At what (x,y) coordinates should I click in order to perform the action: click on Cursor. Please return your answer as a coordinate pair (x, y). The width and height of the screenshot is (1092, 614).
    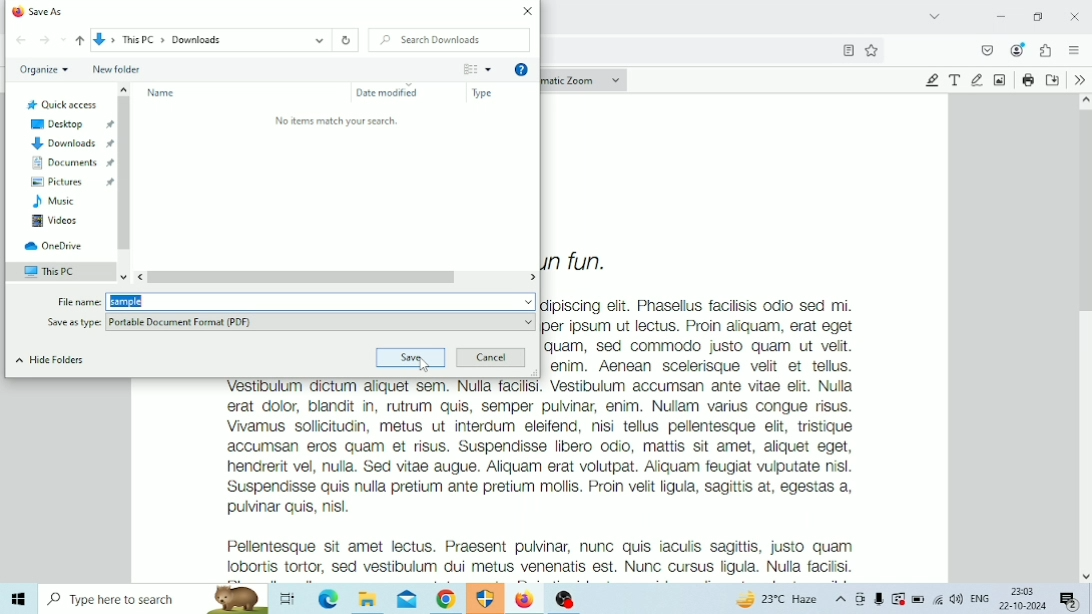
    Looking at the image, I should click on (425, 365).